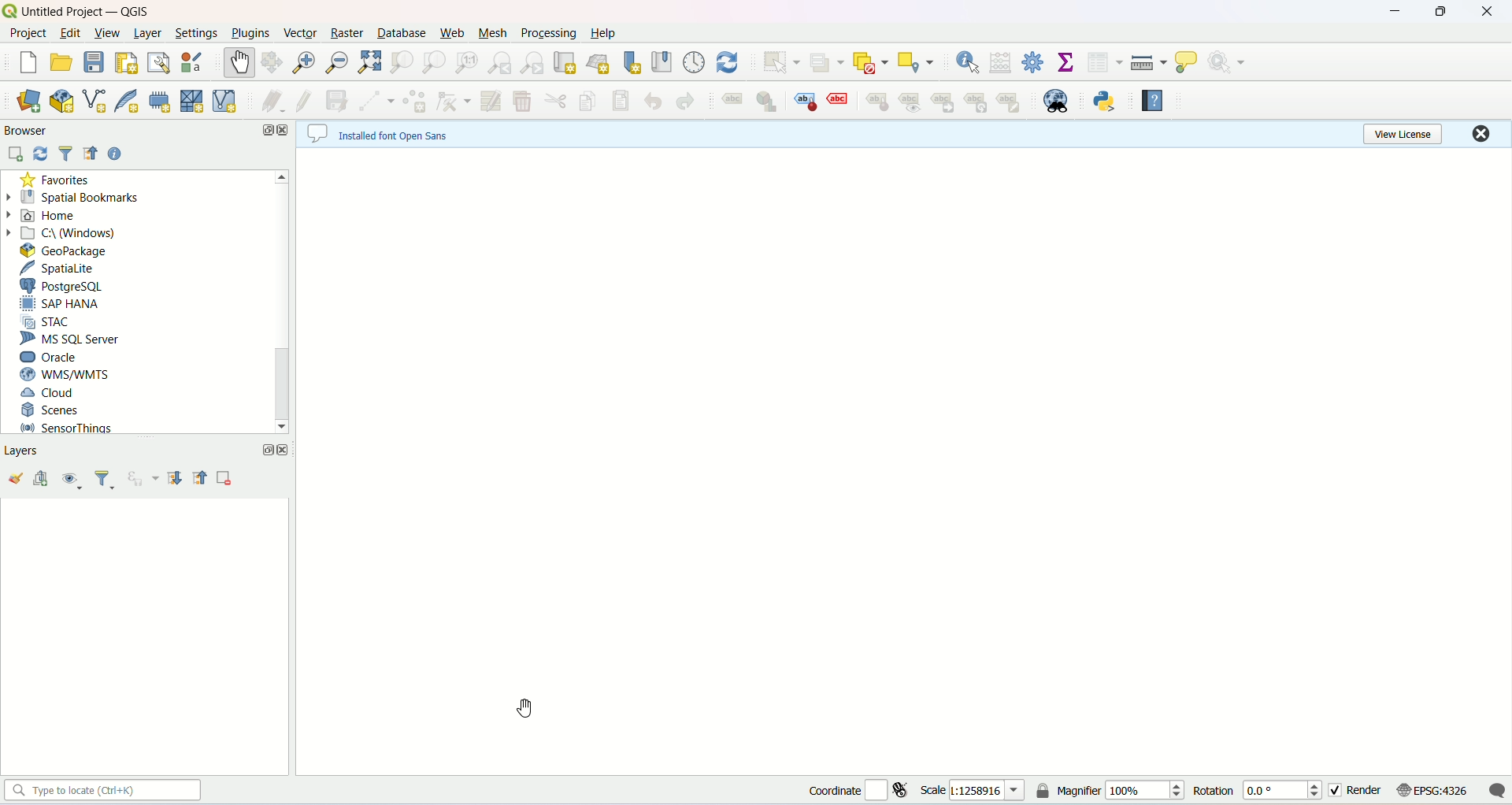  Describe the element at coordinates (492, 33) in the screenshot. I see `mesh` at that location.